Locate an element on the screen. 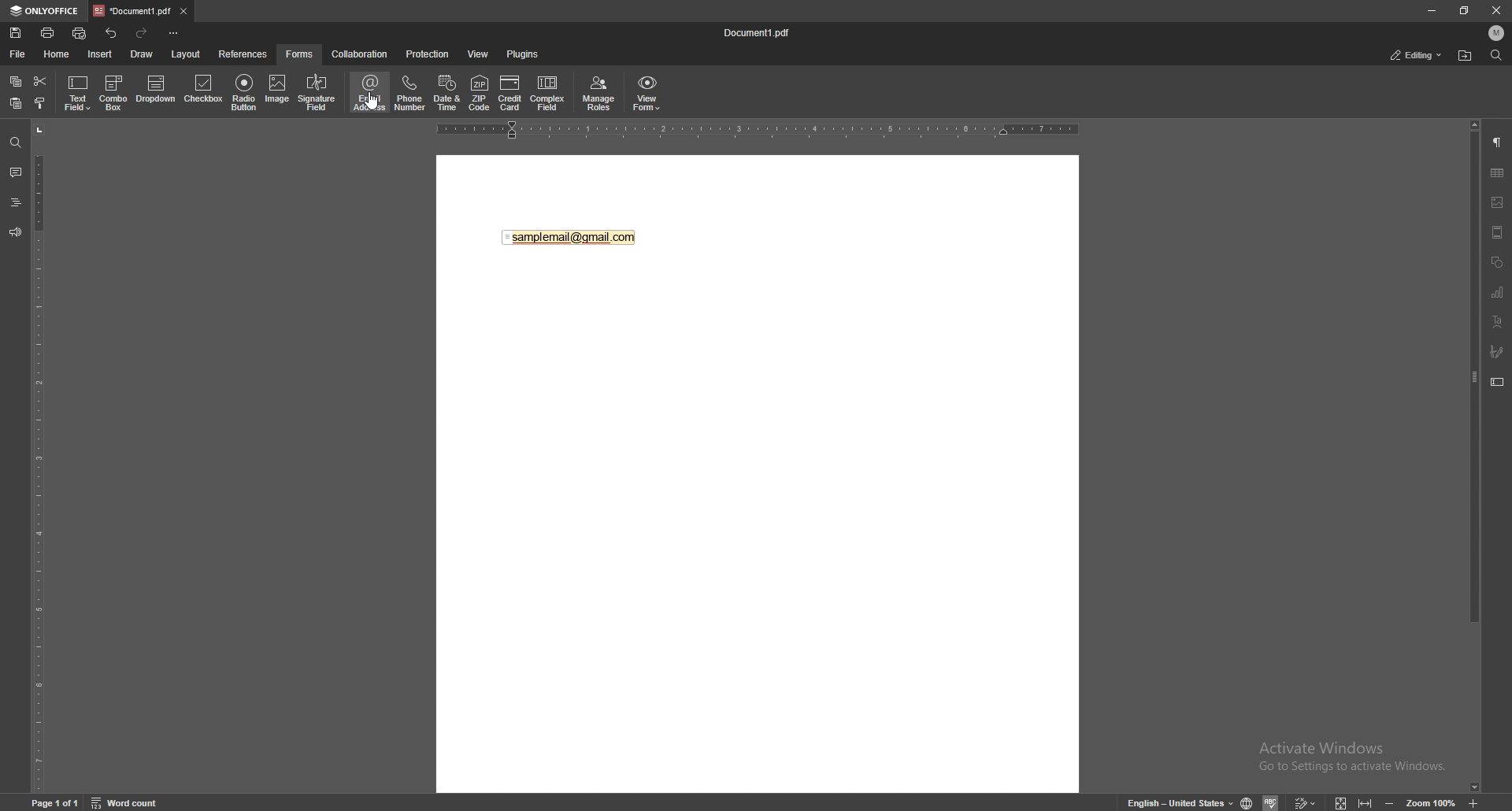  find is located at coordinates (1495, 54).